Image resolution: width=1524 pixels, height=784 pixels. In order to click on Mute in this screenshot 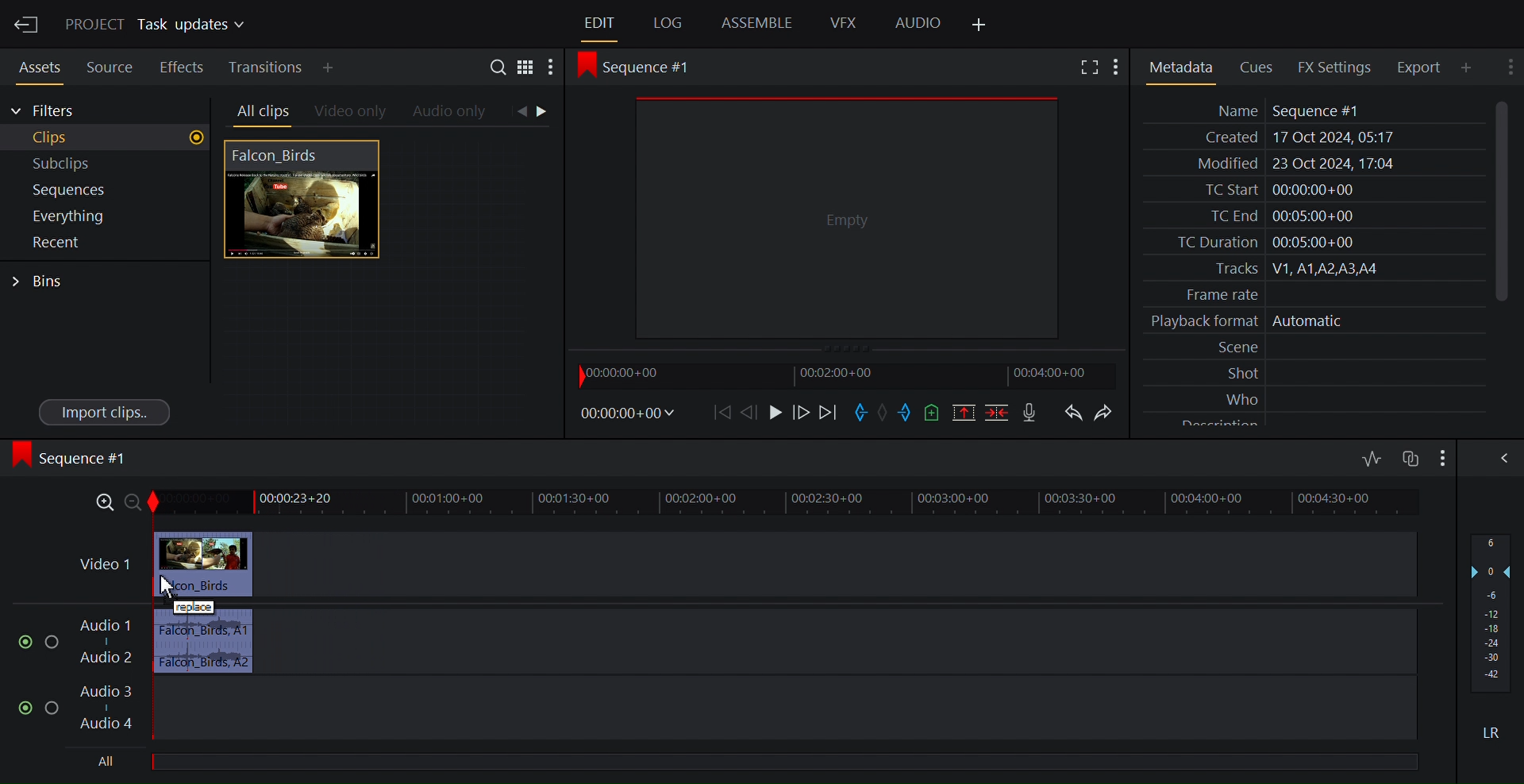, I will do `click(1493, 732)`.